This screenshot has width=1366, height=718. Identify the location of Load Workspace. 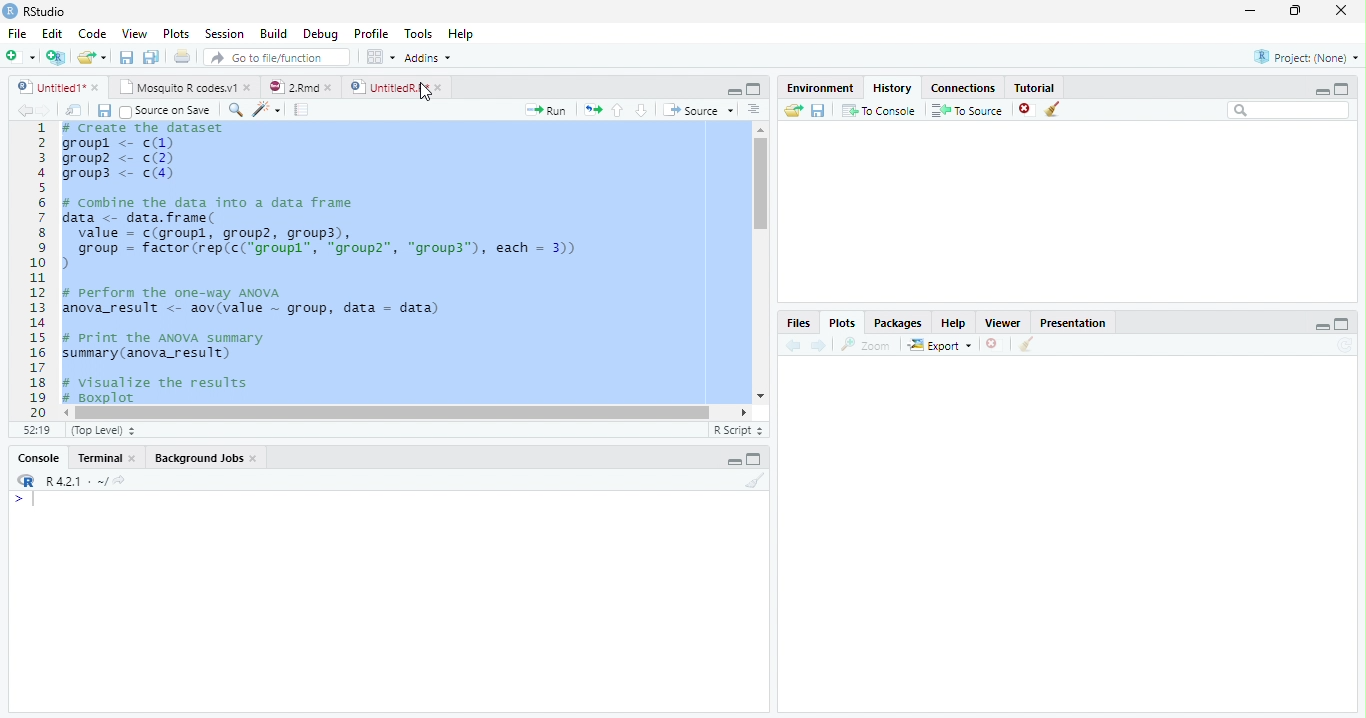
(794, 111).